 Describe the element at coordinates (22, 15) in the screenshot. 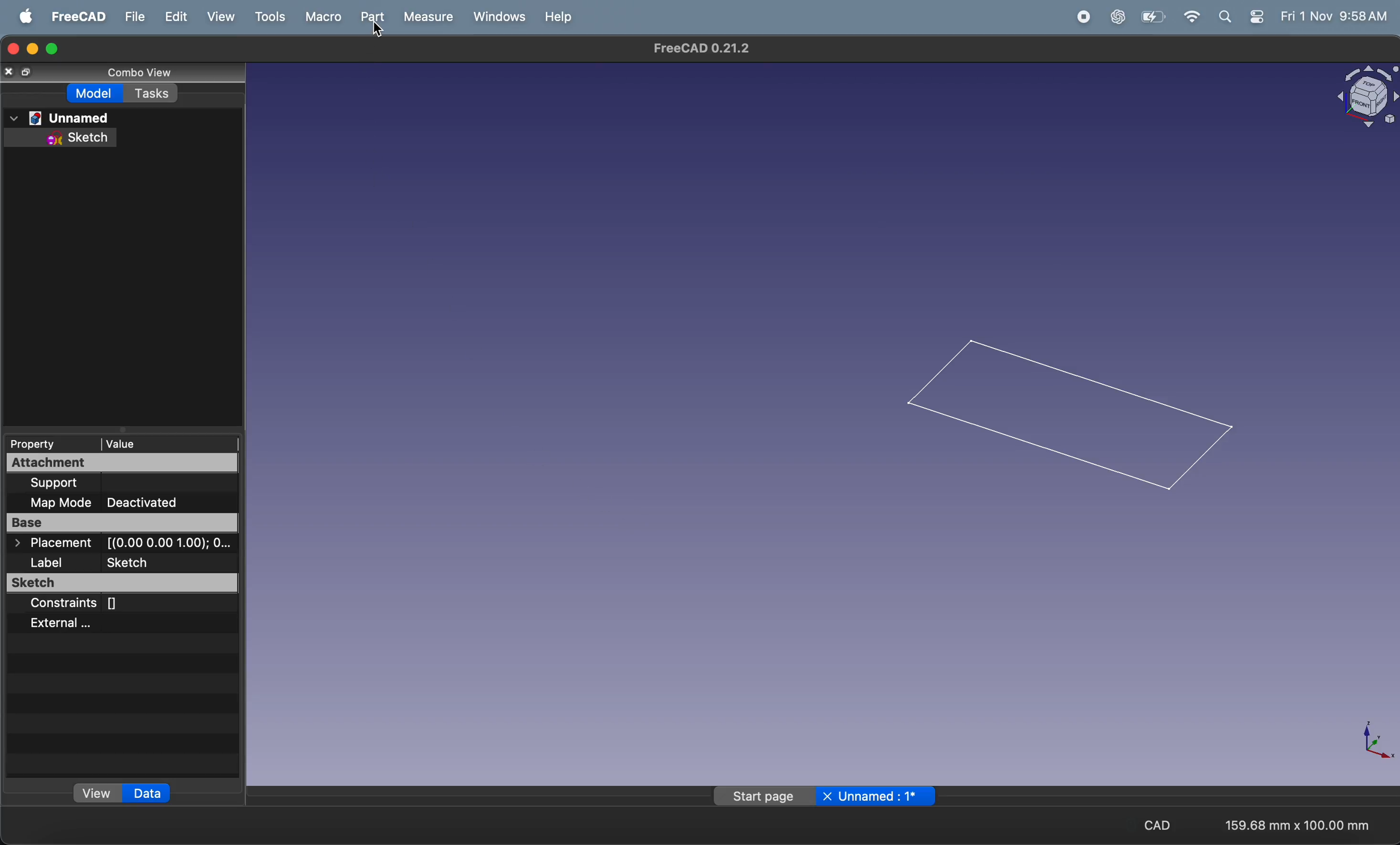

I see `apple menu` at that location.